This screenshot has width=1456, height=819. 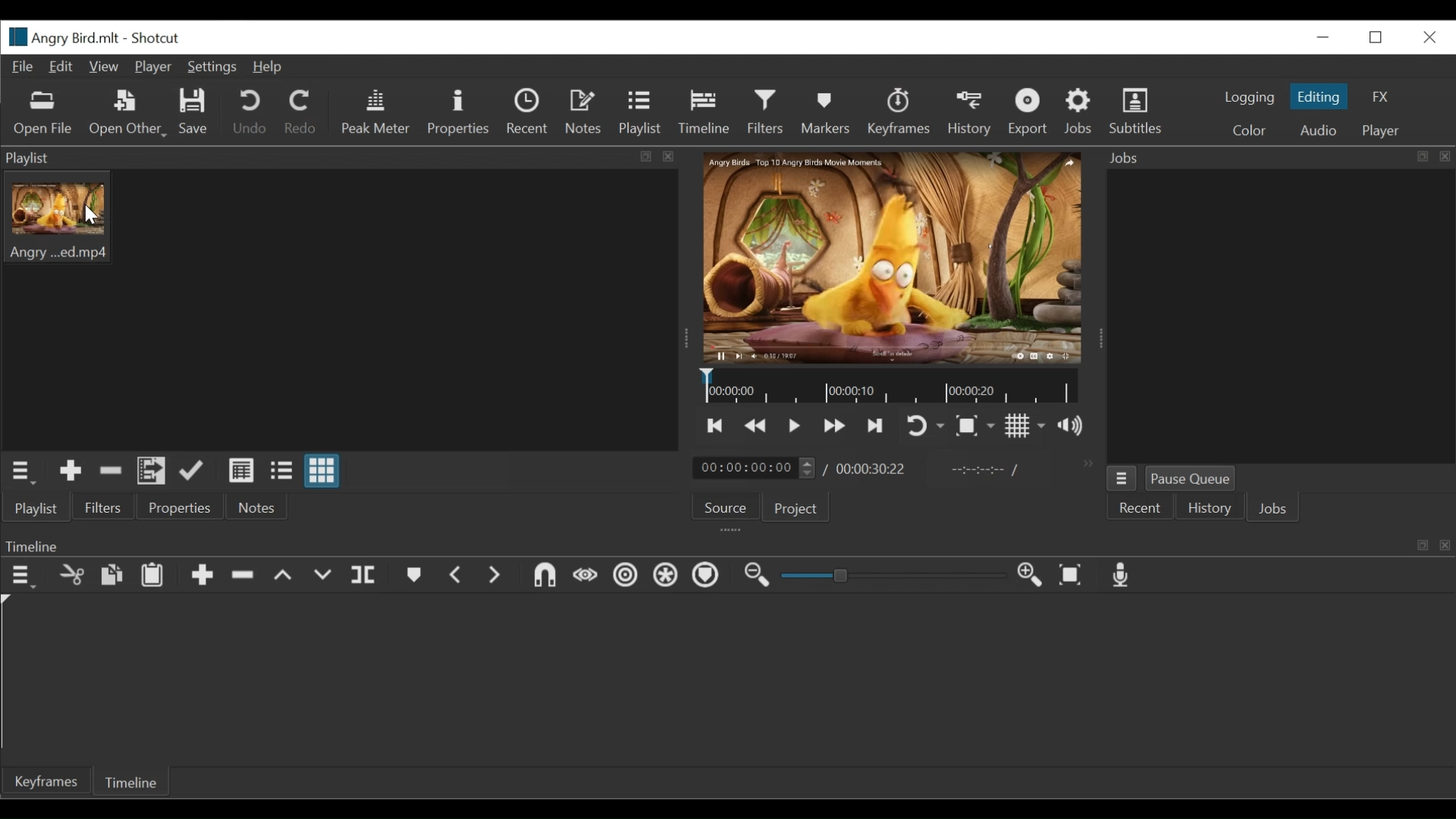 I want to click on Notes, so click(x=585, y=112).